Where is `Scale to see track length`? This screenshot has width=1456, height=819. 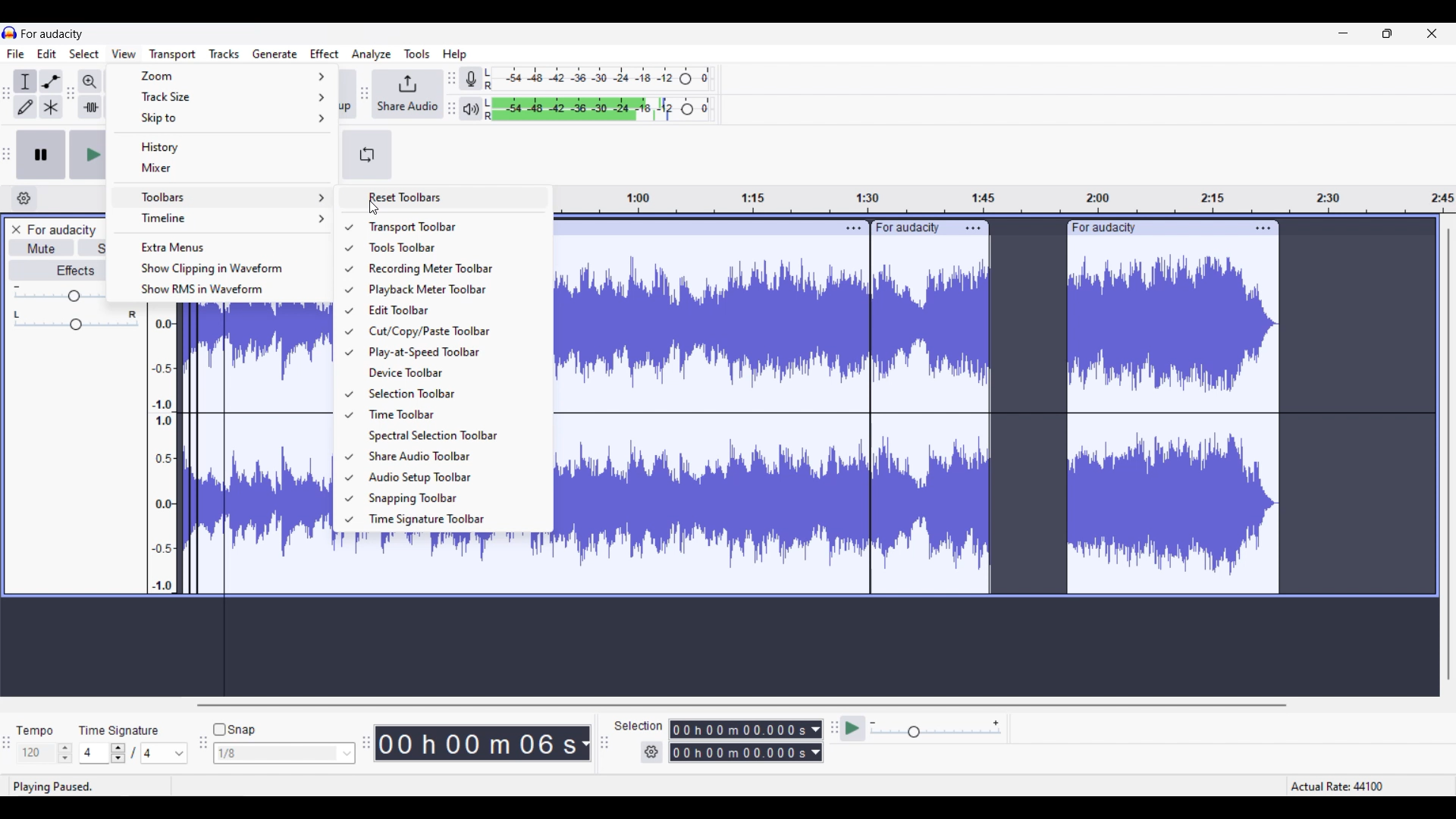
Scale to see track length is located at coordinates (1007, 199).